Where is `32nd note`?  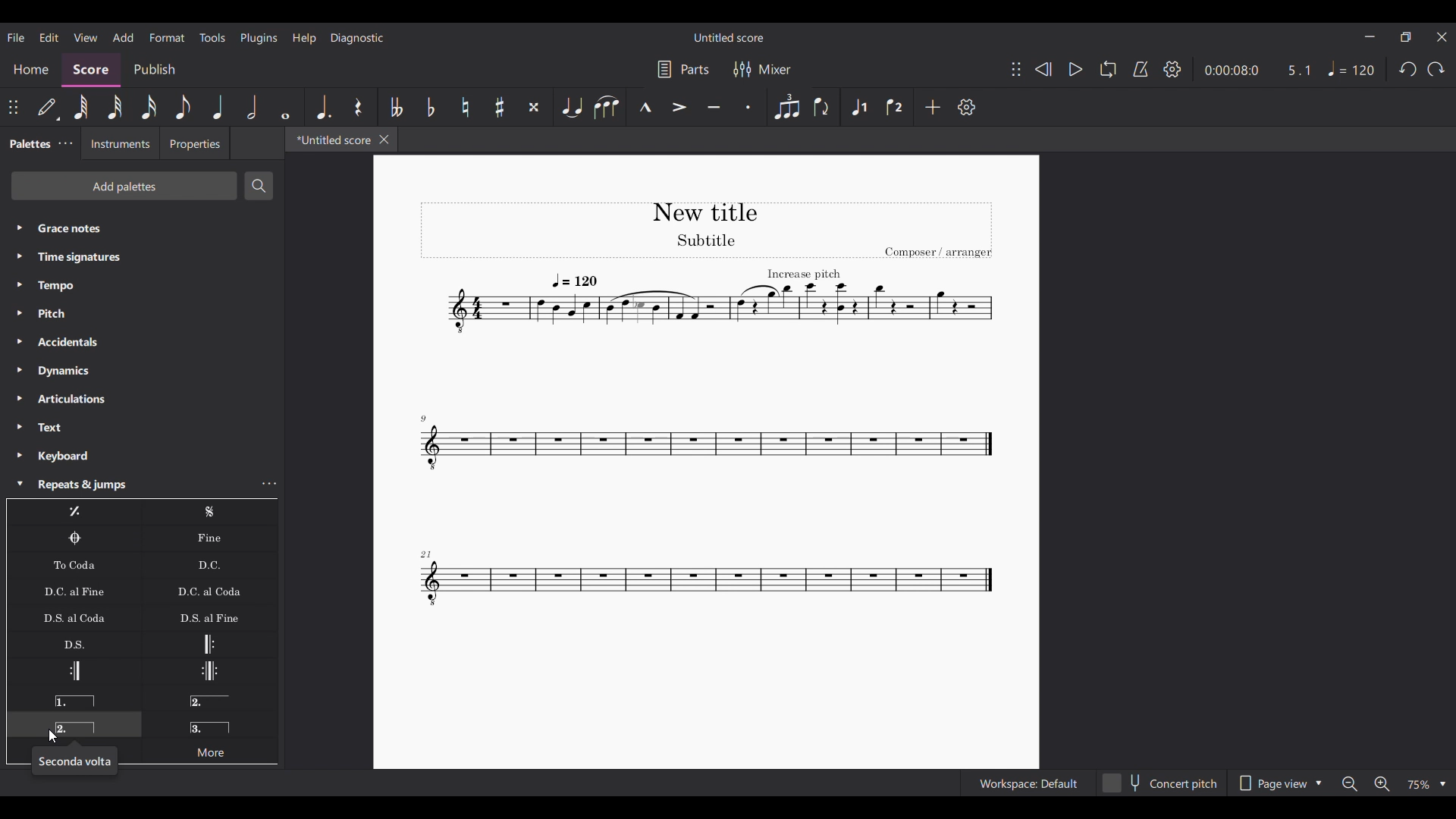 32nd note is located at coordinates (115, 107).